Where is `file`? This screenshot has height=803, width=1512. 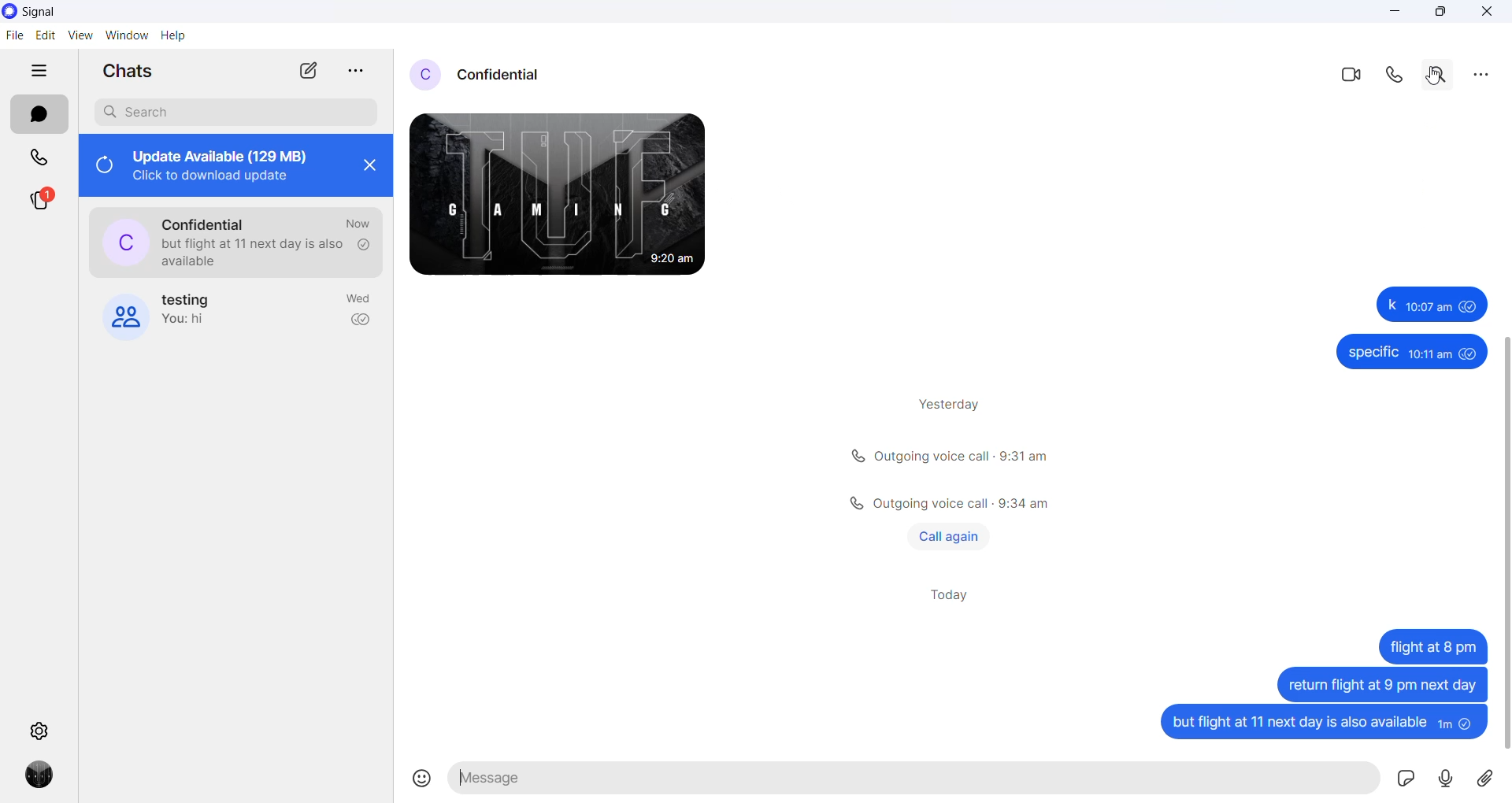 file is located at coordinates (14, 39).